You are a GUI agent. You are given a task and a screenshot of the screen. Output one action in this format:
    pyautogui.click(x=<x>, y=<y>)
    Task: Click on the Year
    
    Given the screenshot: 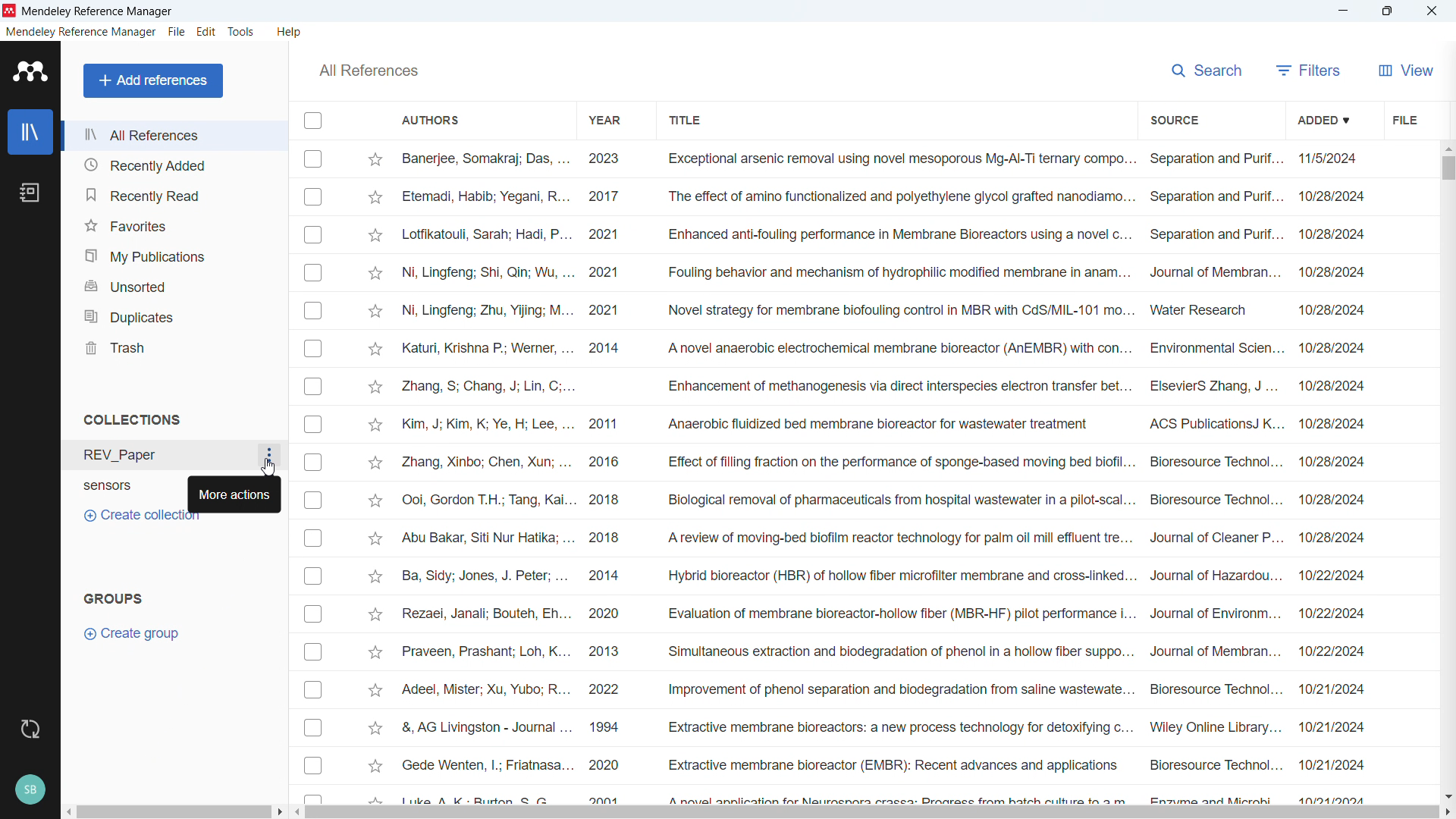 What is the action you would take?
    pyautogui.click(x=607, y=119)
    